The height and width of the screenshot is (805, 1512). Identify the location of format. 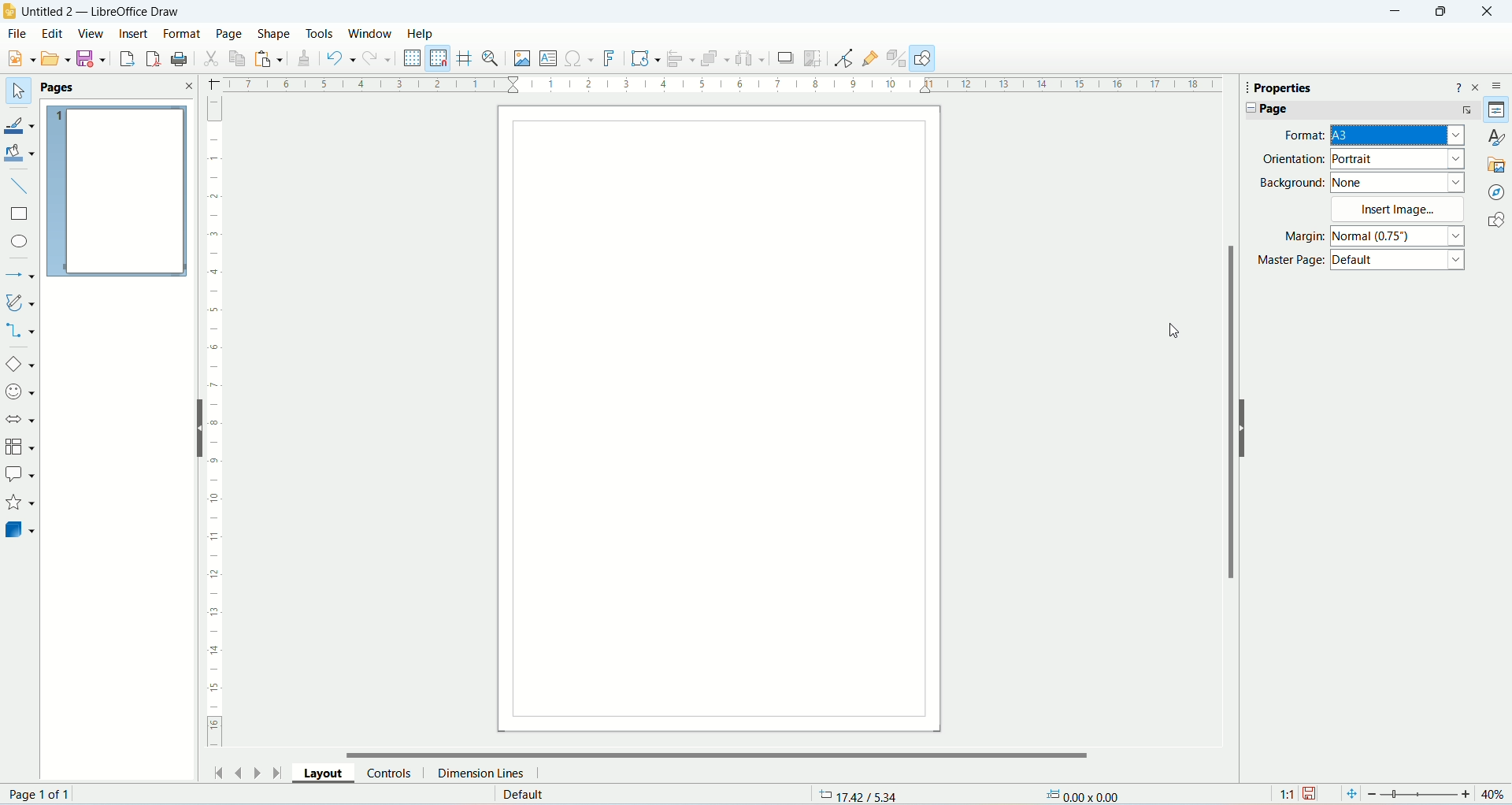
(1372, 136).